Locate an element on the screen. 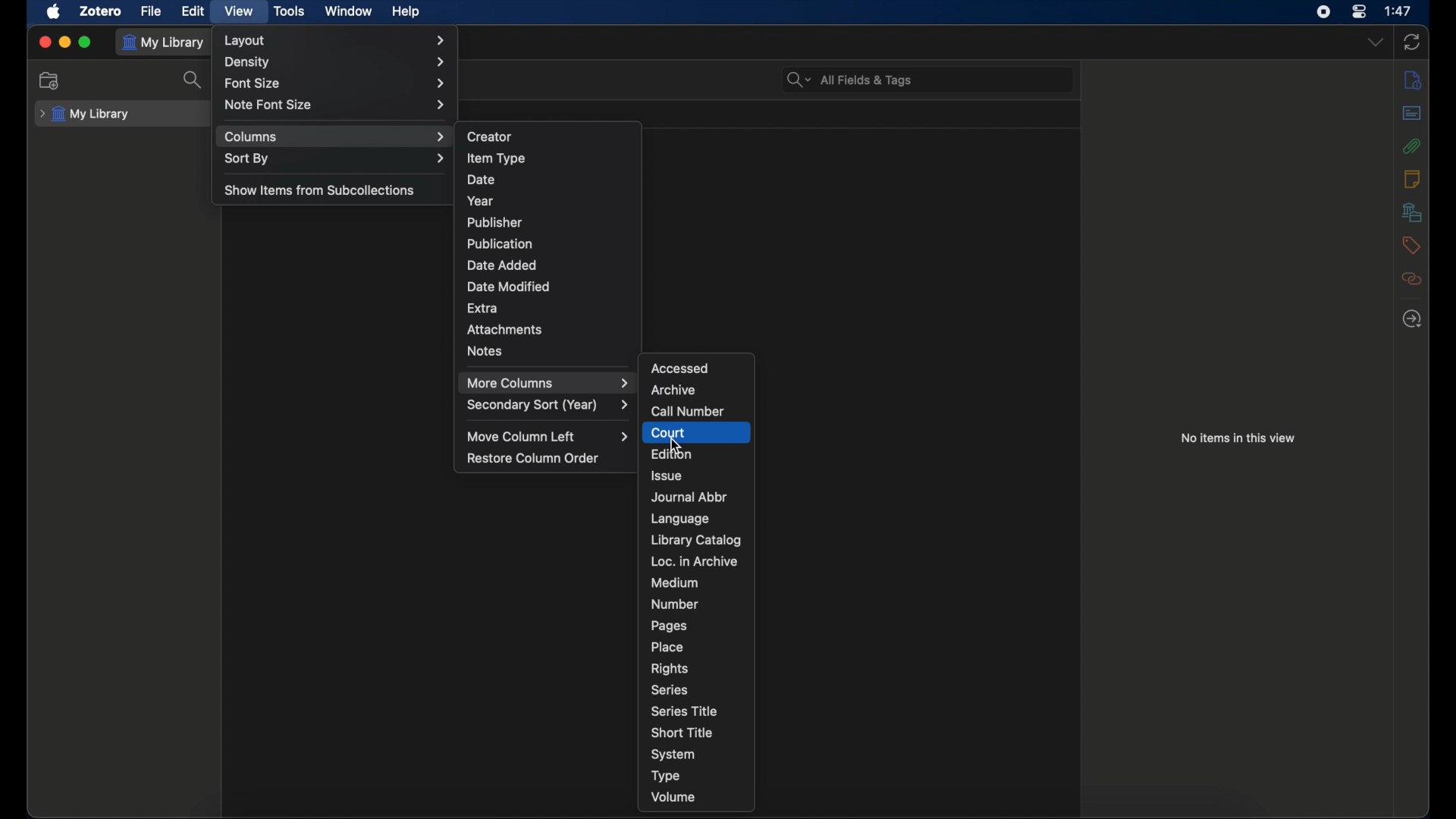 The image size is (1456, 819). extra is located at coordinates (483, 307).